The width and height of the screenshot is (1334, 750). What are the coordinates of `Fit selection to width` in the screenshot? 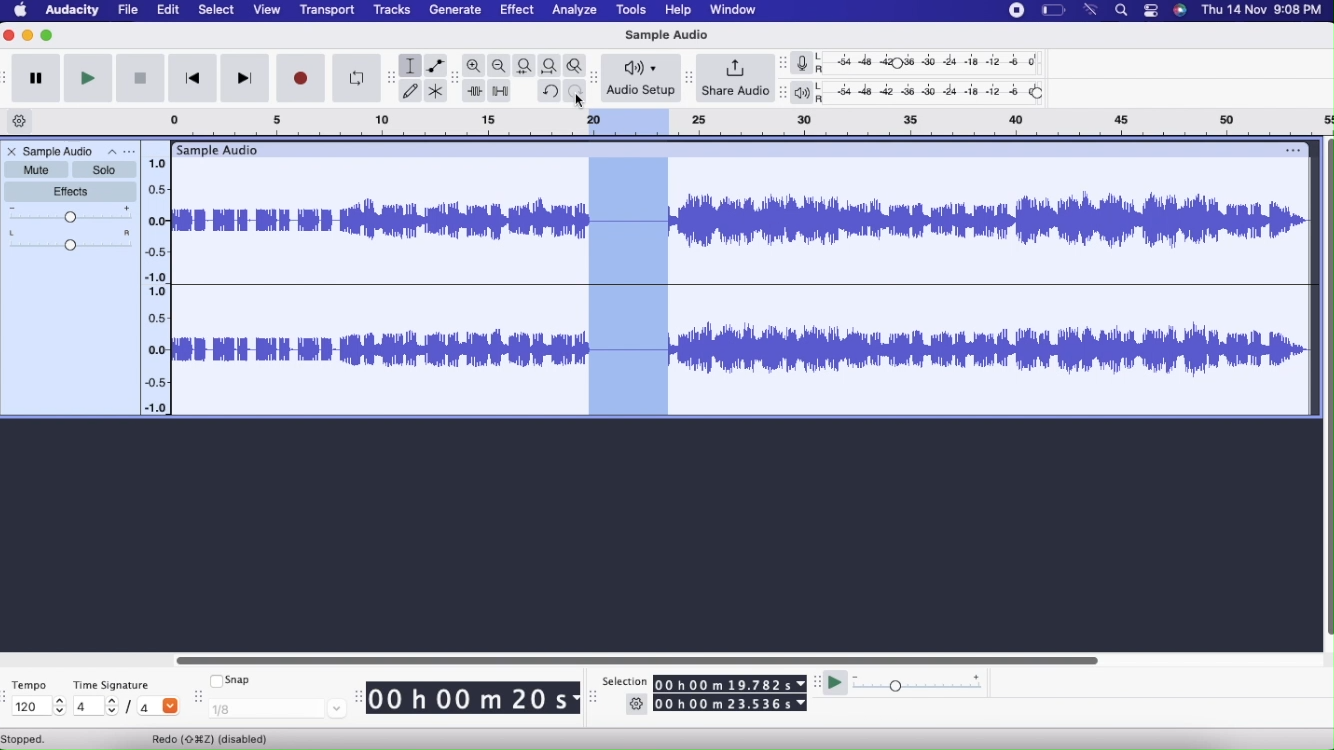 It's located at (525, 66).